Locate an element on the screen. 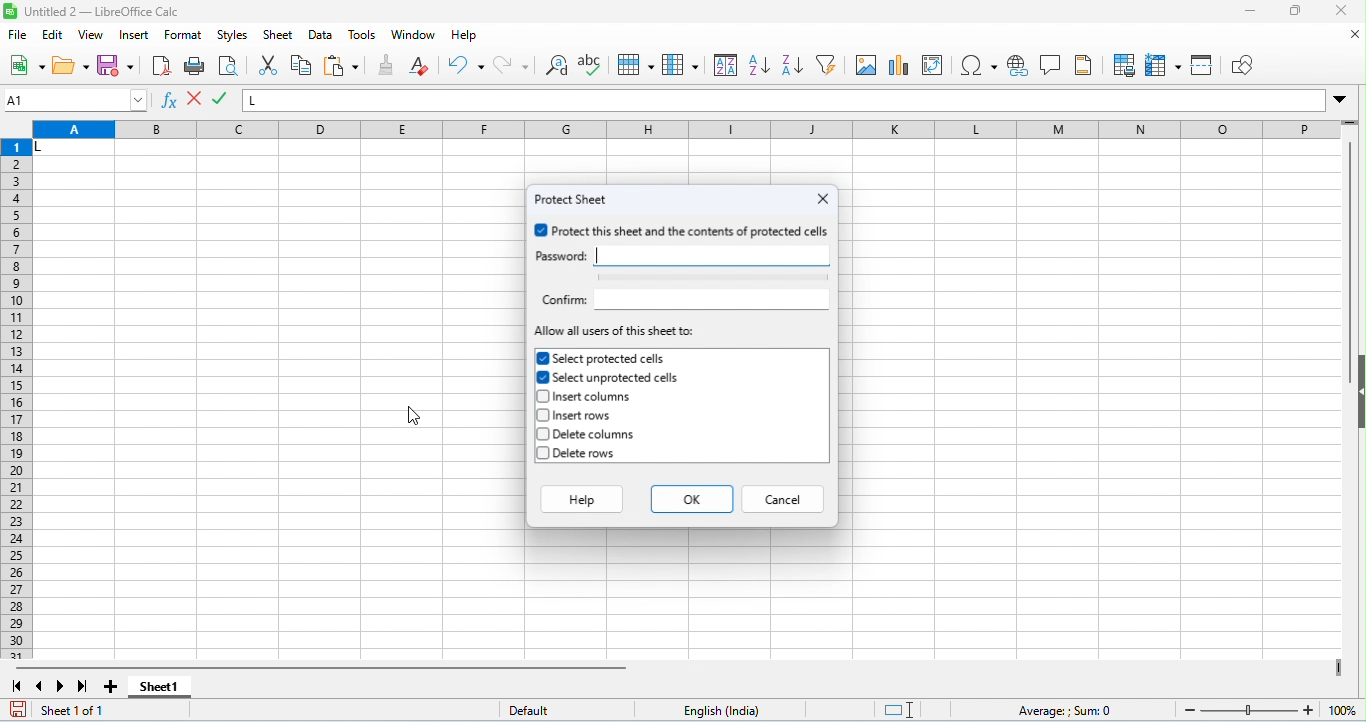 The image size is (1366, 722). drag to view next columns is located at coordinates (1338, 667).